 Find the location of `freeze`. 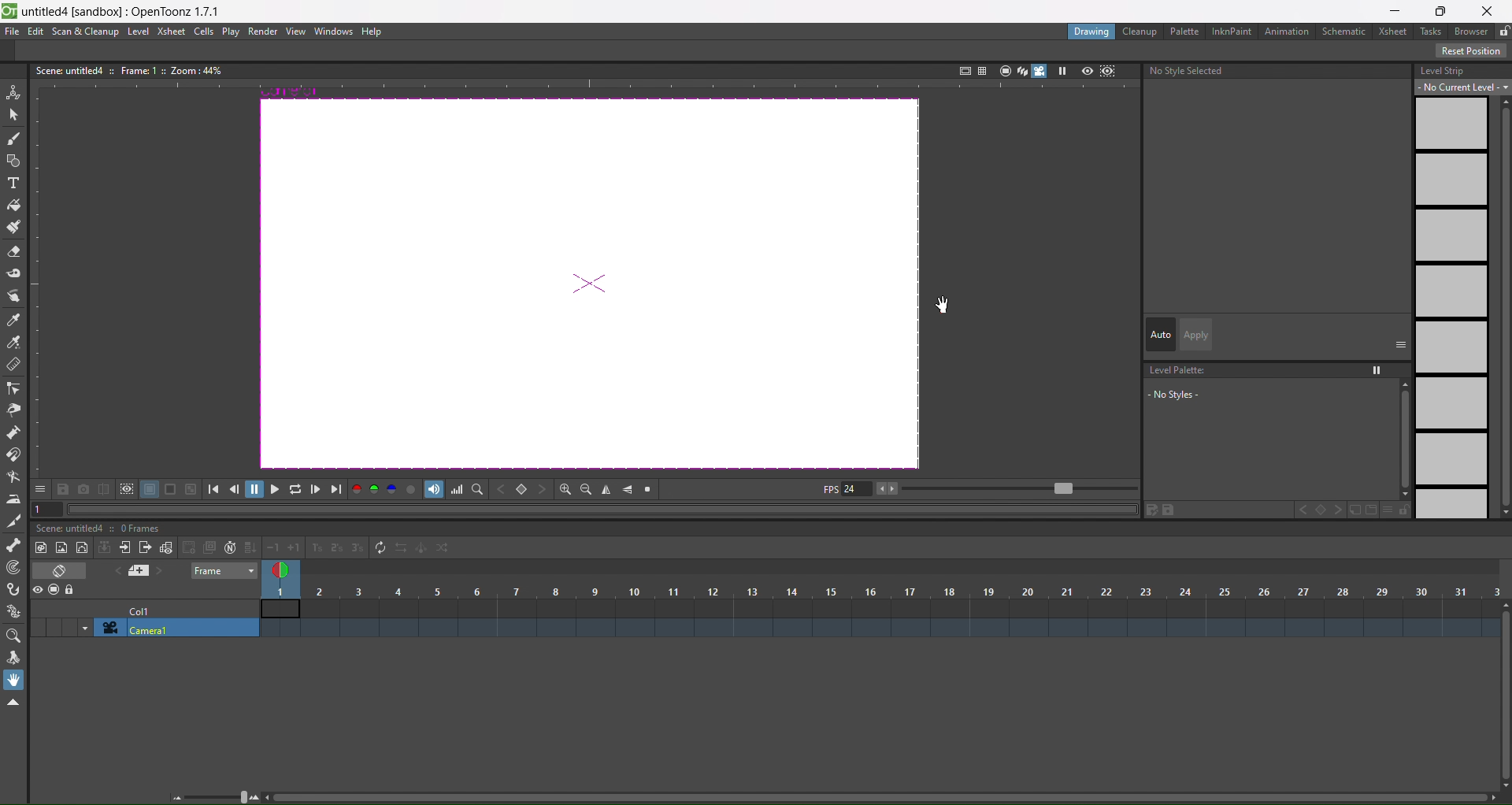

freeze is located at coordinates (1061, 71).